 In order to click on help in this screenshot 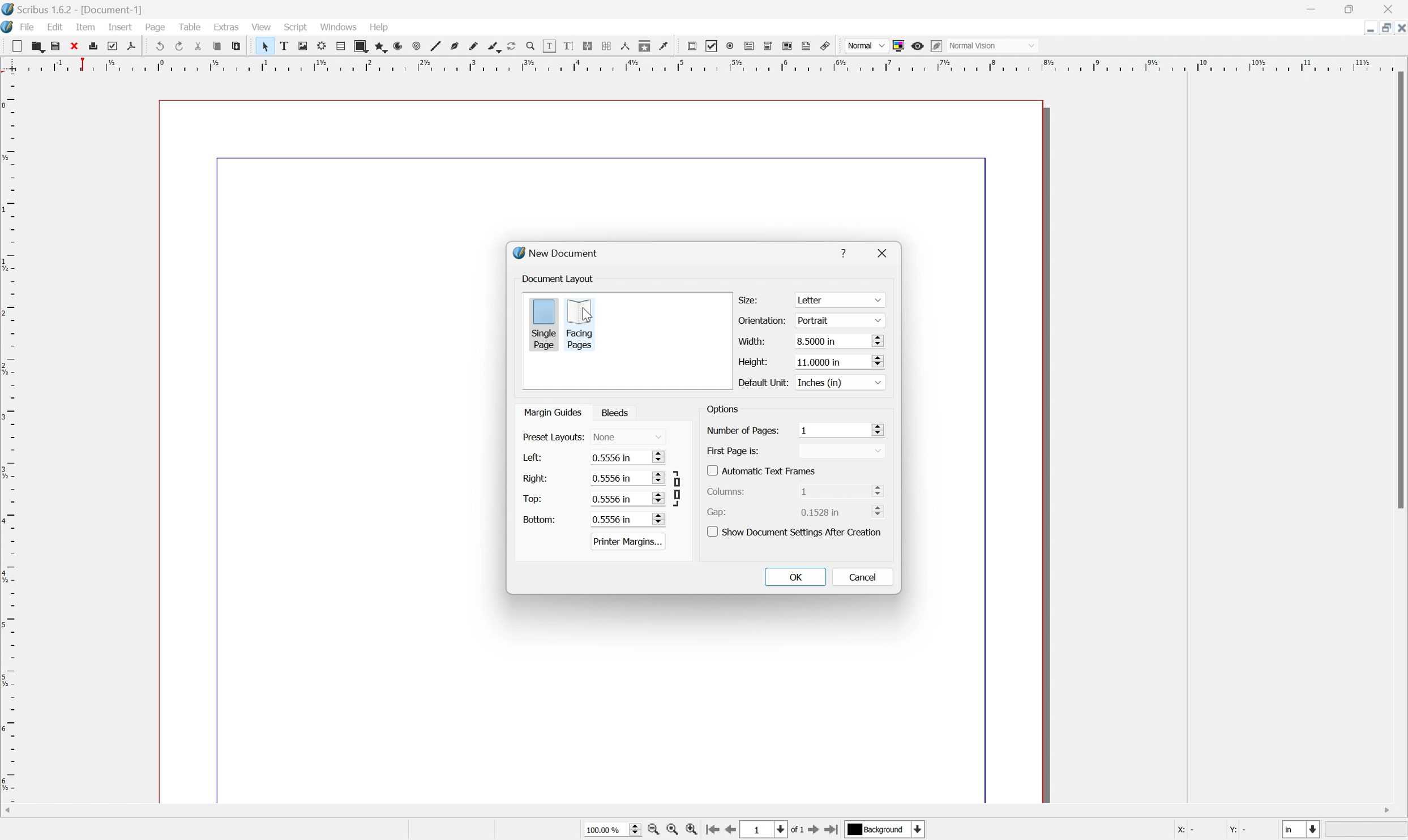, I will do `click(846, 251)`.